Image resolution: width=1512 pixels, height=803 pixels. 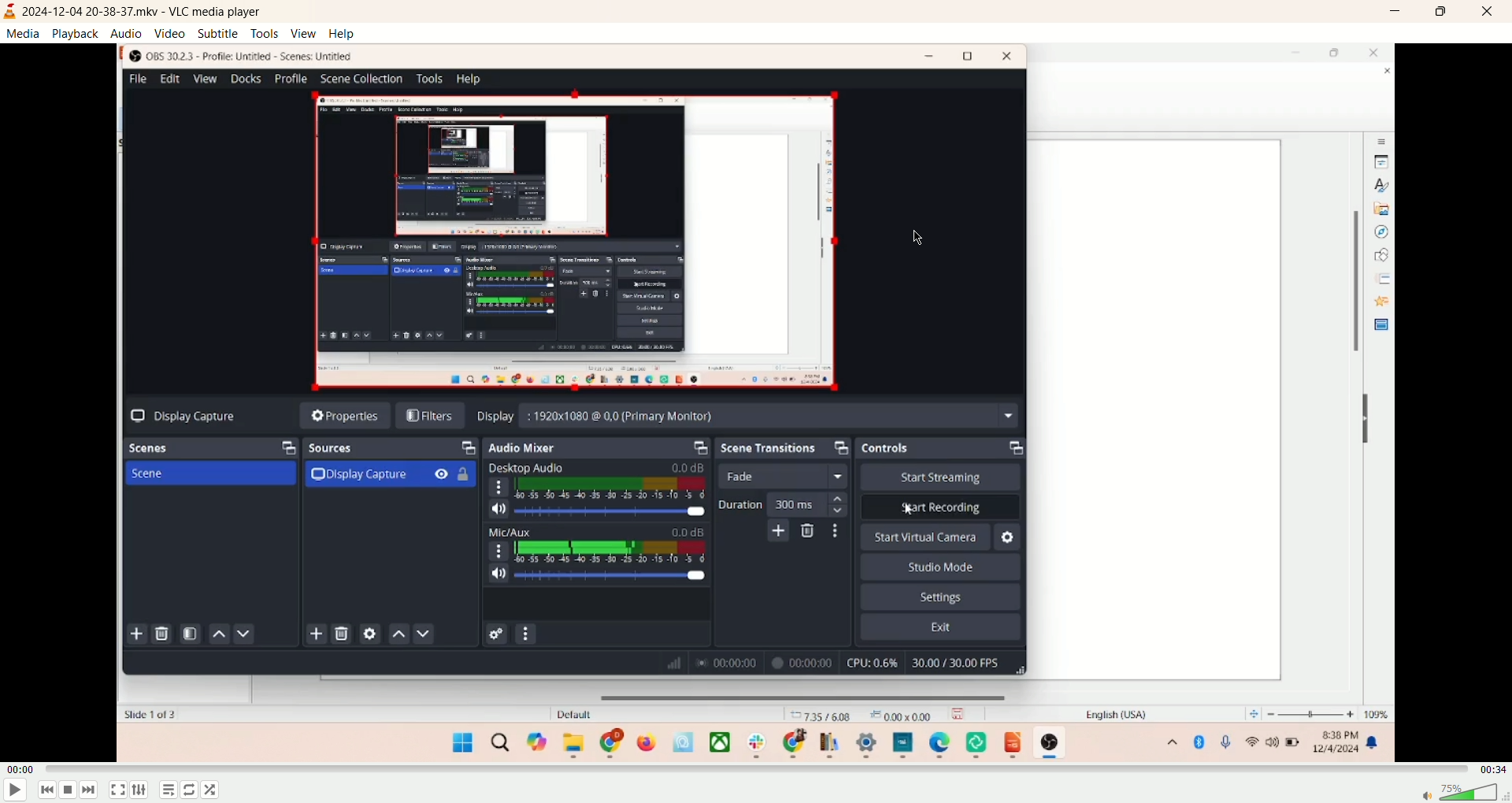 I want to click on main screen, so click(x=757, y=401).